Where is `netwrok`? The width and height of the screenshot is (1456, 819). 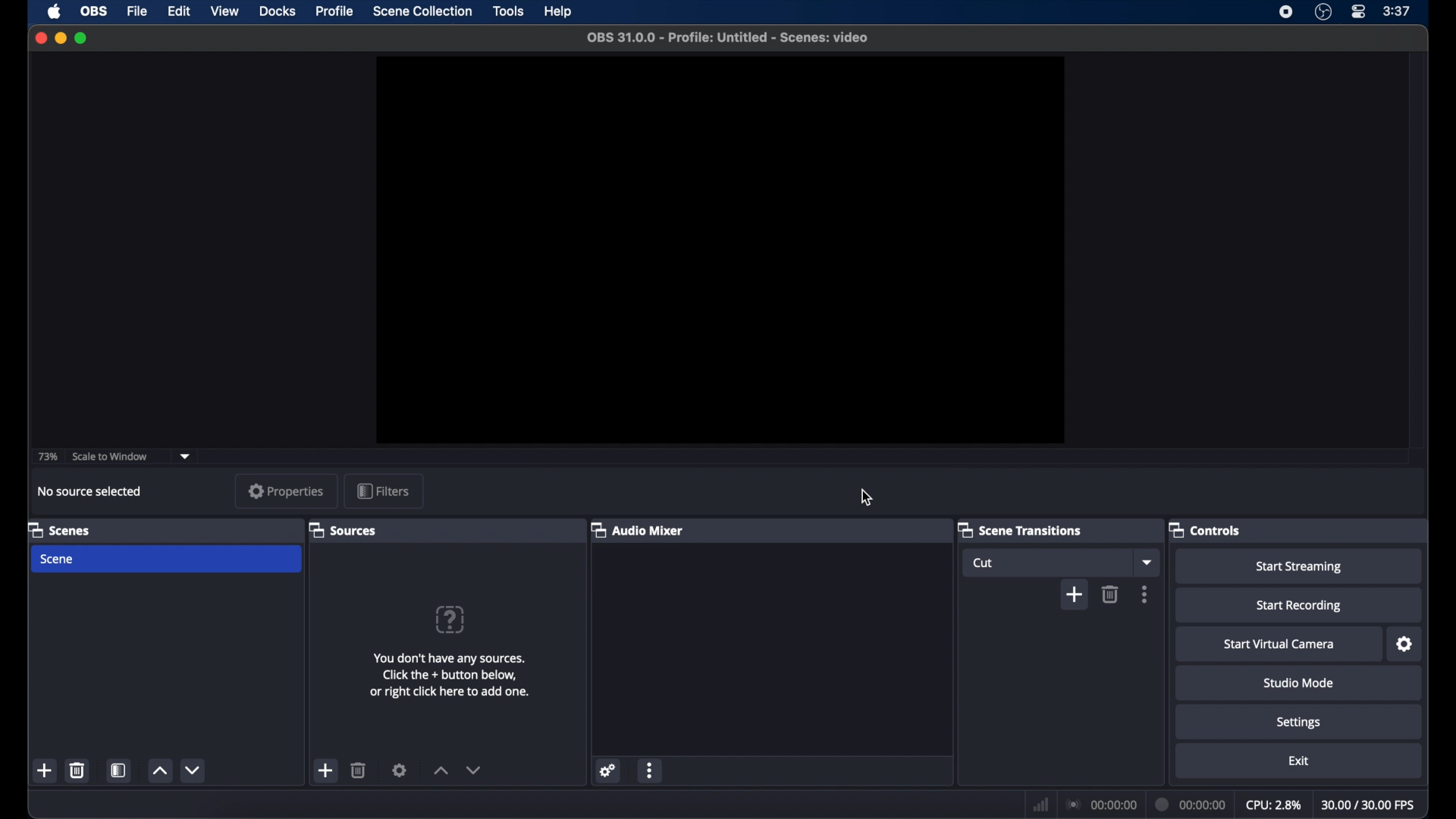
netwrok is located at coordinates (1039, 803).